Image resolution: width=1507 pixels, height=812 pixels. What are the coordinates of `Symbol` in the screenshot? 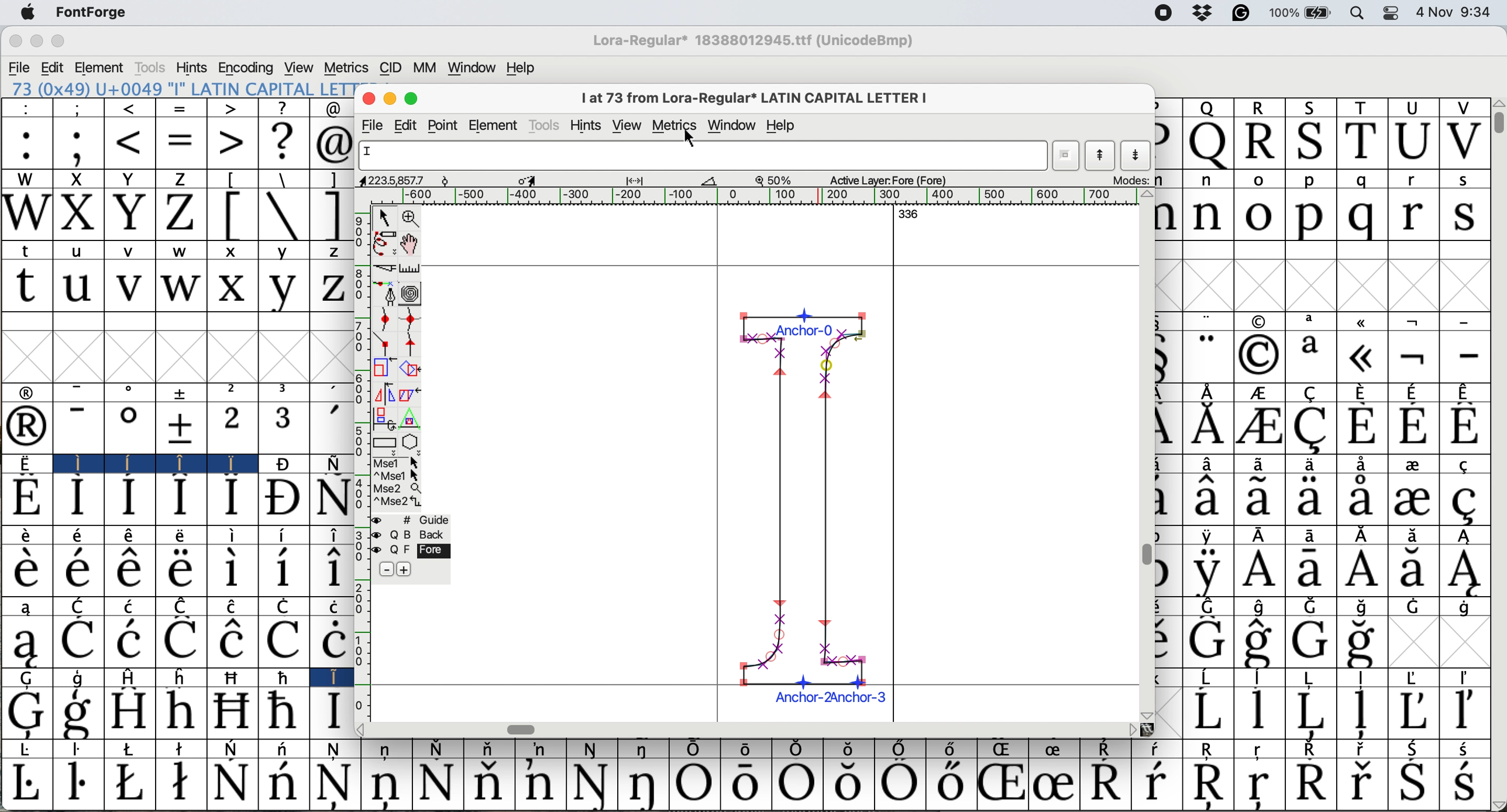 It's located at (1000, 785).